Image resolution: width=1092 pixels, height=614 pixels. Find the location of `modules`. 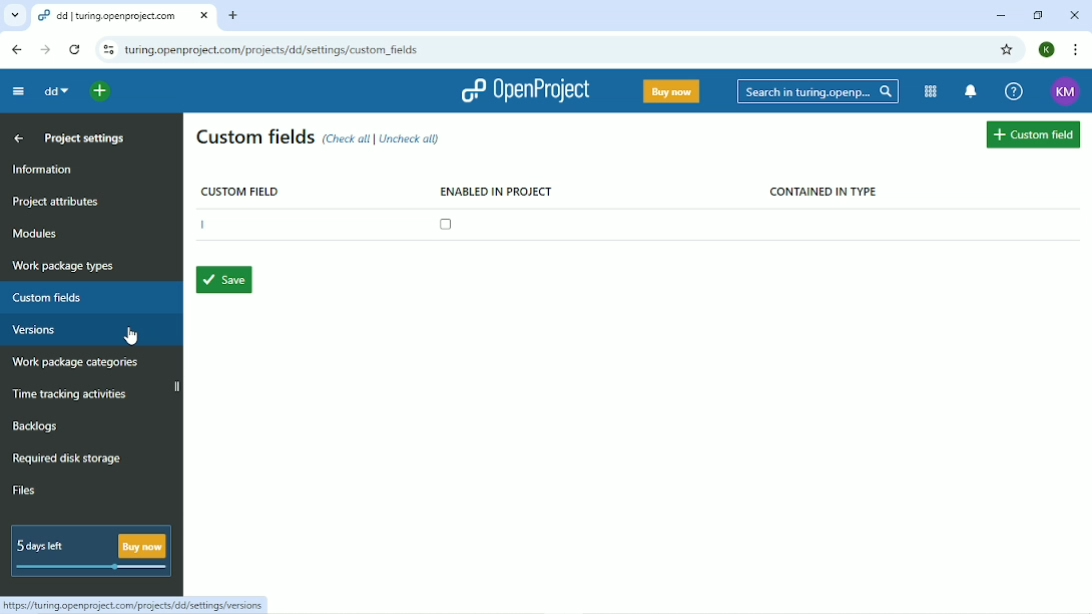

modules is located at coordinates (929, 91).